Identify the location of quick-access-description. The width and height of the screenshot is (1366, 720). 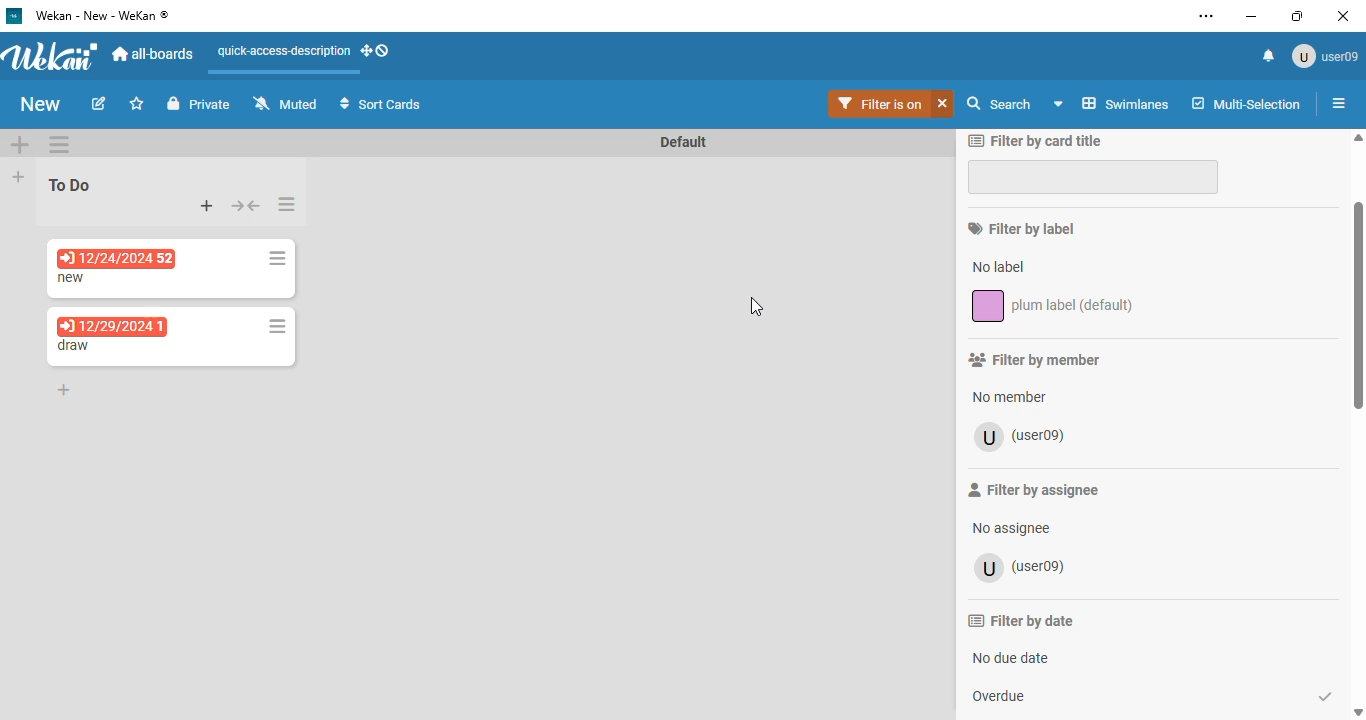
(283, 51).